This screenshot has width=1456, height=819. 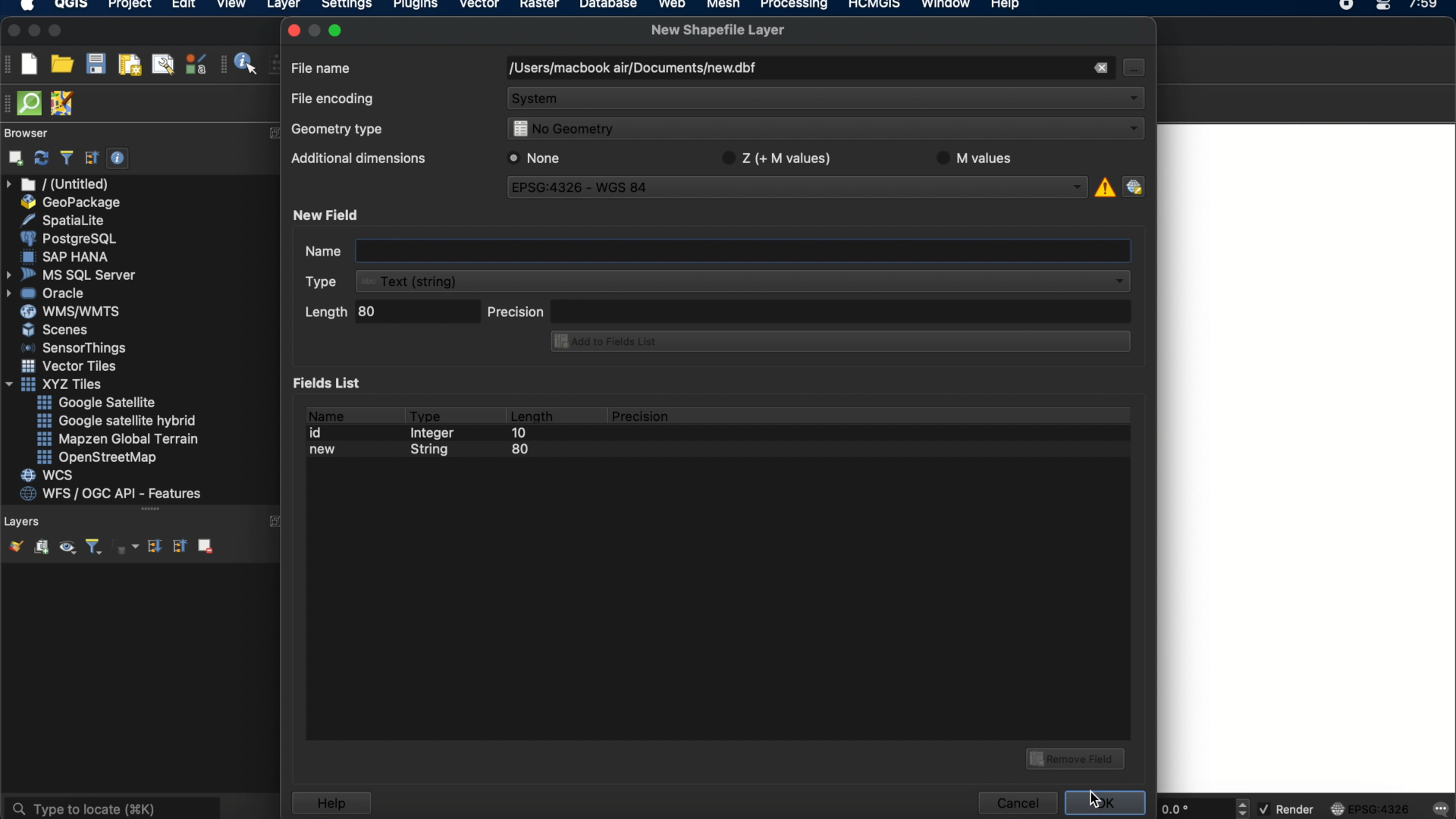 I want to click on messages, so click(x=1439, y=810).